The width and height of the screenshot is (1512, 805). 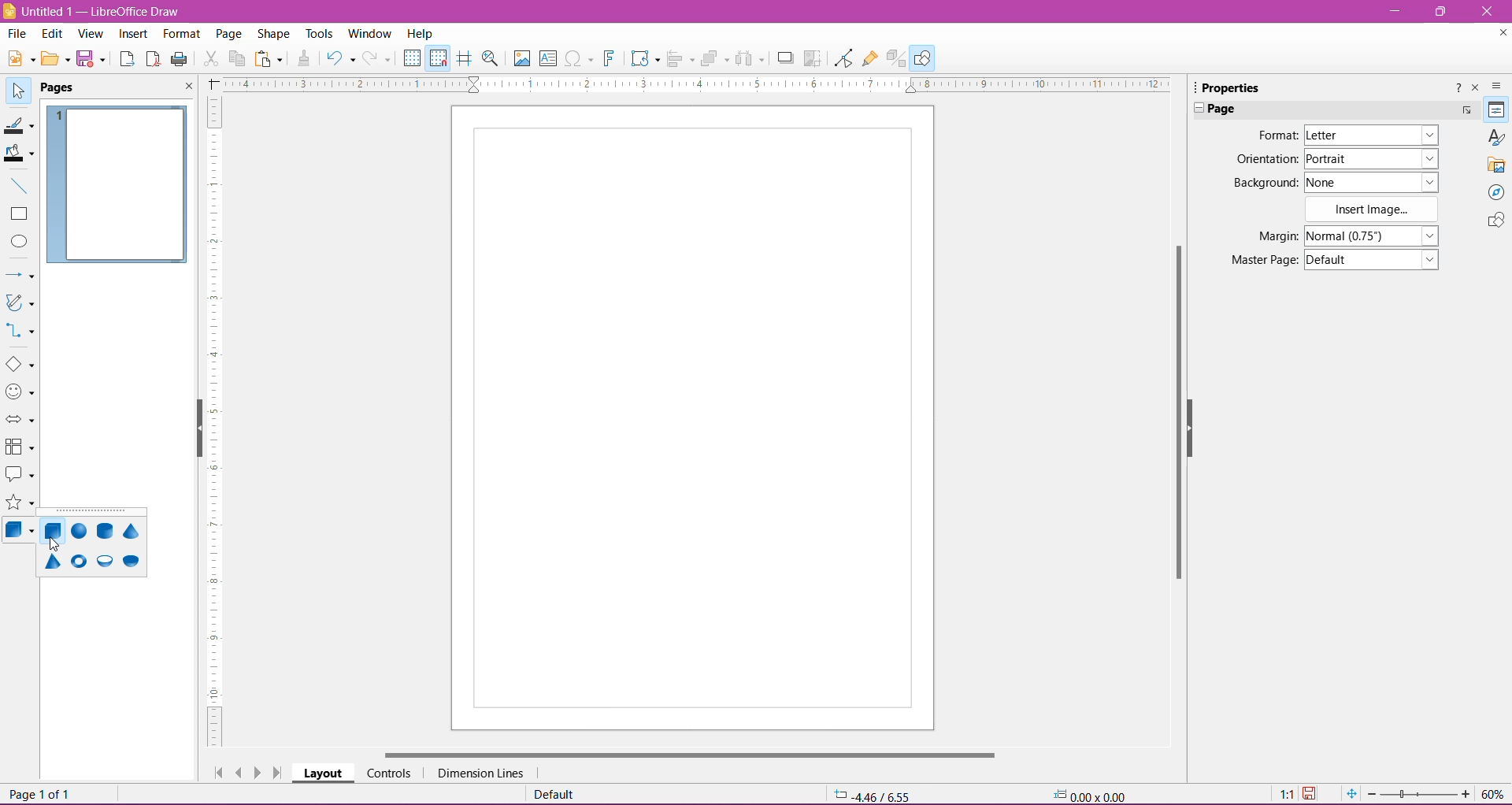 What do you see at coordinates (1499, 86) in the screenshot?
I see `Sidebar settings` at bounding box center [1499, 86].